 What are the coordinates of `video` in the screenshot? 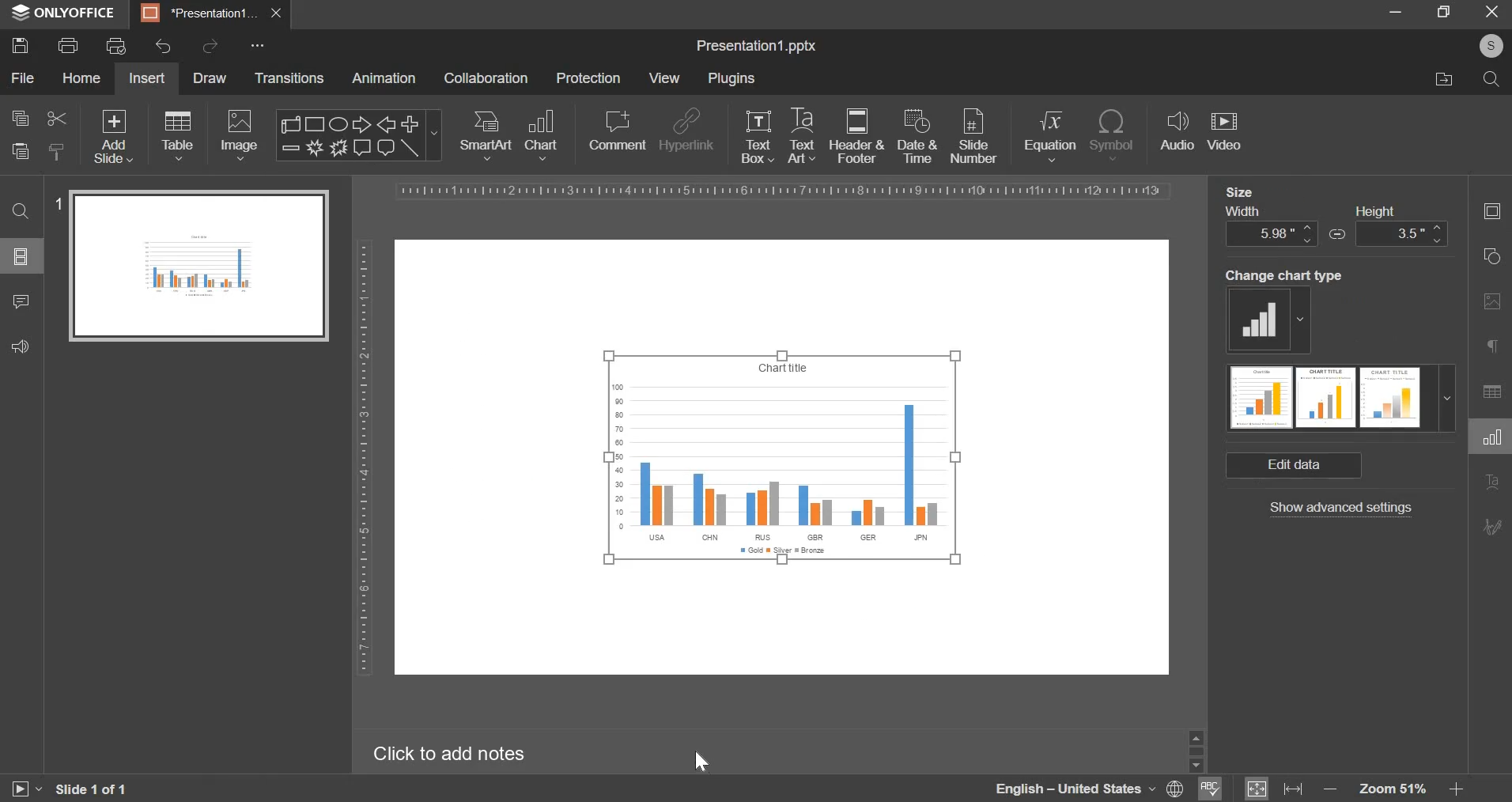 It's located at (1225, 130).